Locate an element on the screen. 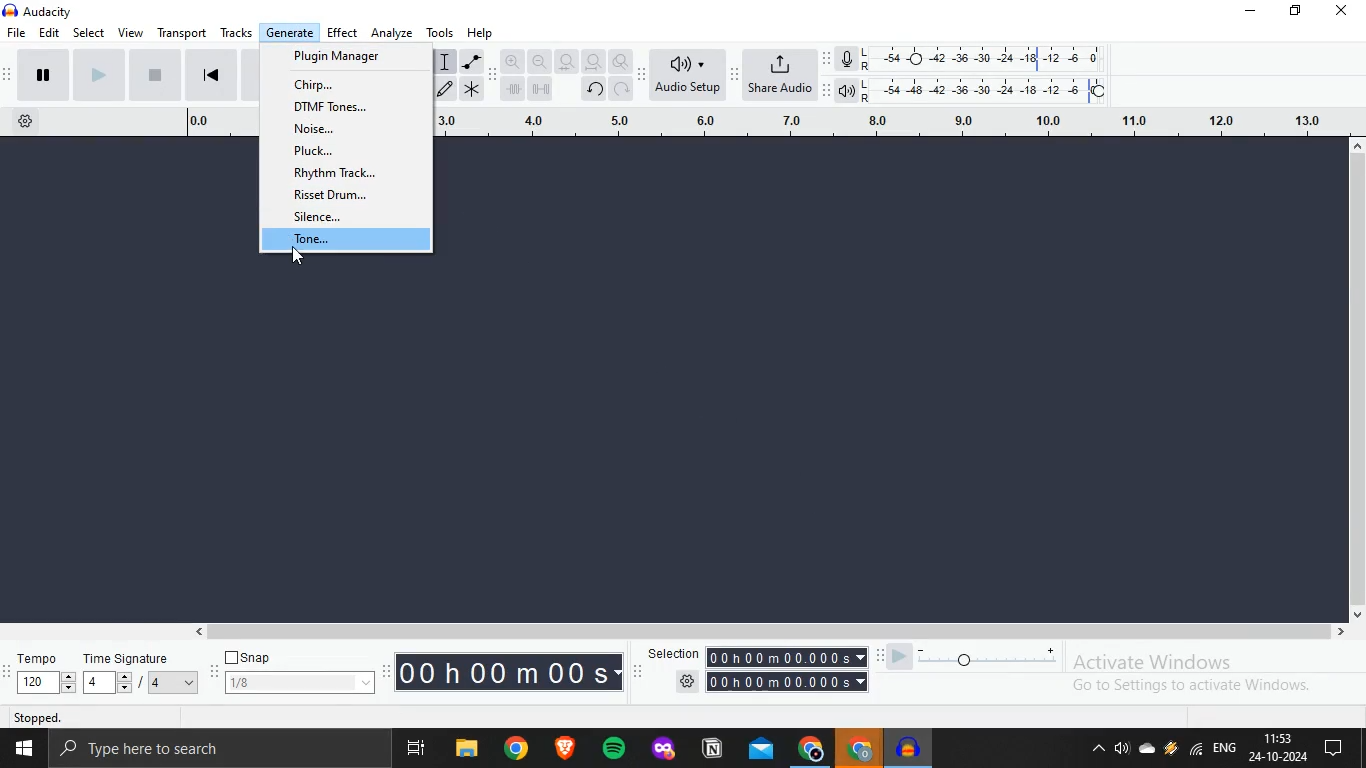 The width and height of the screenshot is (1366, 768). File is located at coordinates (17, 33).